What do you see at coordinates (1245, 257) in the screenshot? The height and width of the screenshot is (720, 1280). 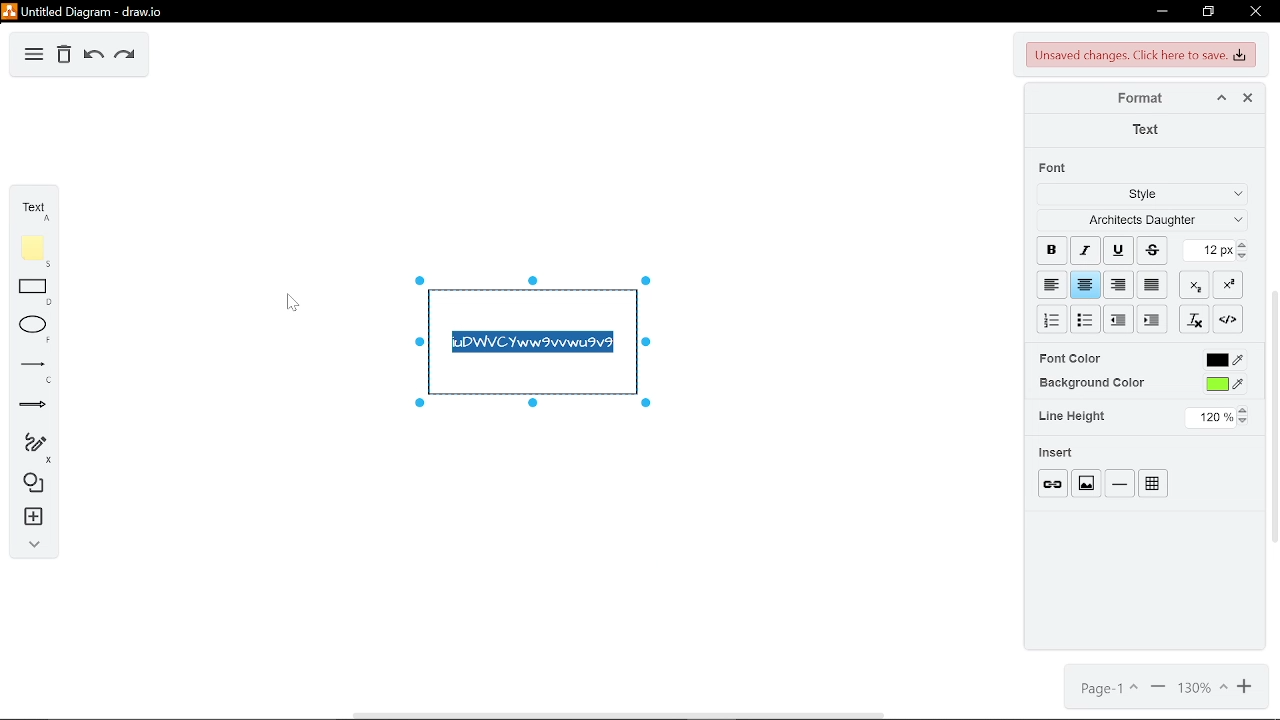 I see `decrease text size` at bounding box center [1245, 257].